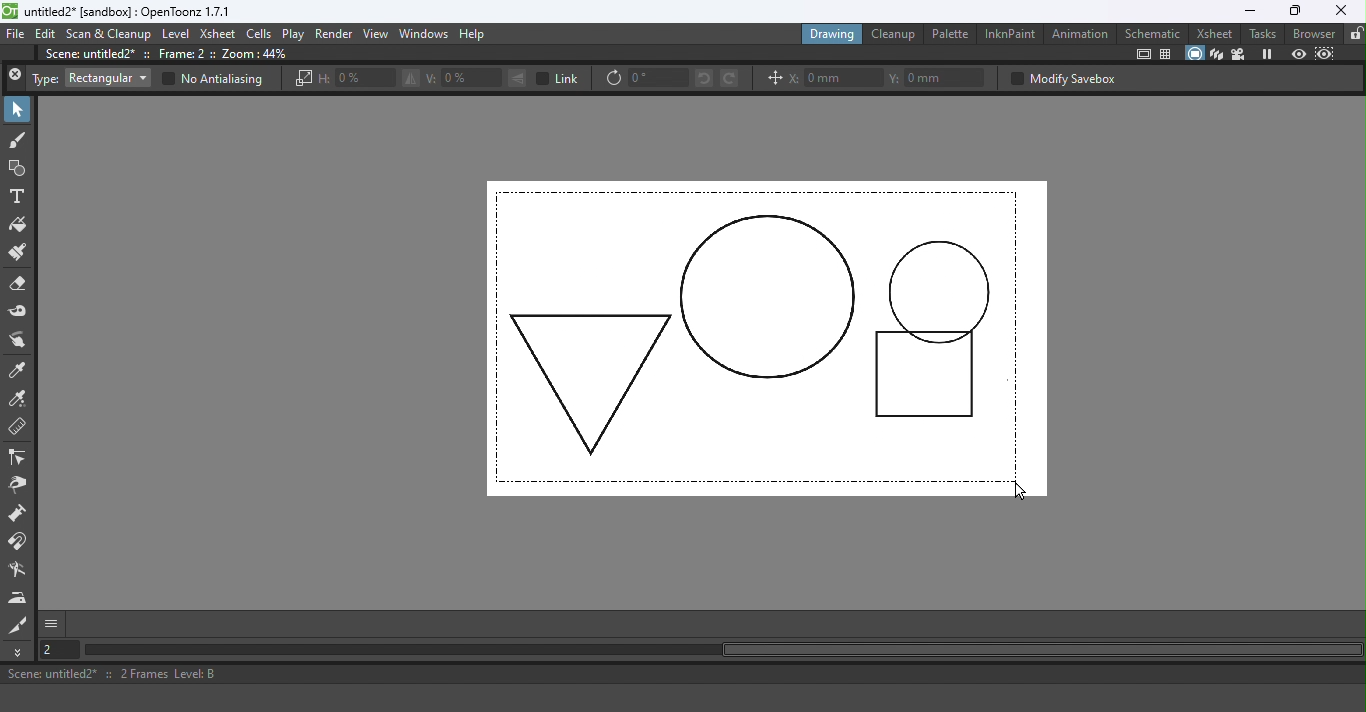 Image resolution: width=1366 pixels, height=712 pixels. What do you see at coordinates (20, 370) in the screenshot?
I see `Style picker tool` at bounding box center [20, 370].